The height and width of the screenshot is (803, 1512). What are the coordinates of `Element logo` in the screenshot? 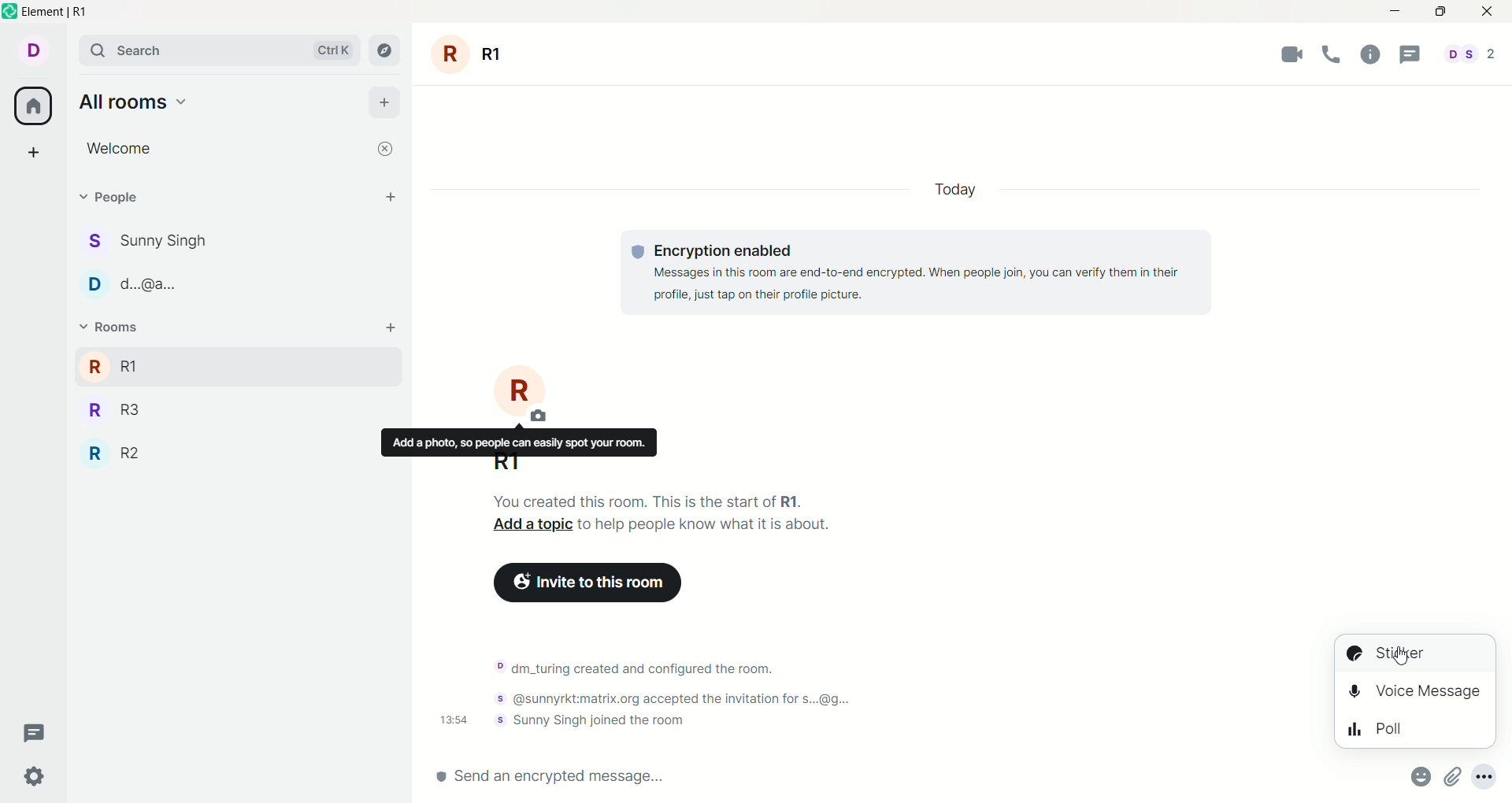 It's located at (10, 11).